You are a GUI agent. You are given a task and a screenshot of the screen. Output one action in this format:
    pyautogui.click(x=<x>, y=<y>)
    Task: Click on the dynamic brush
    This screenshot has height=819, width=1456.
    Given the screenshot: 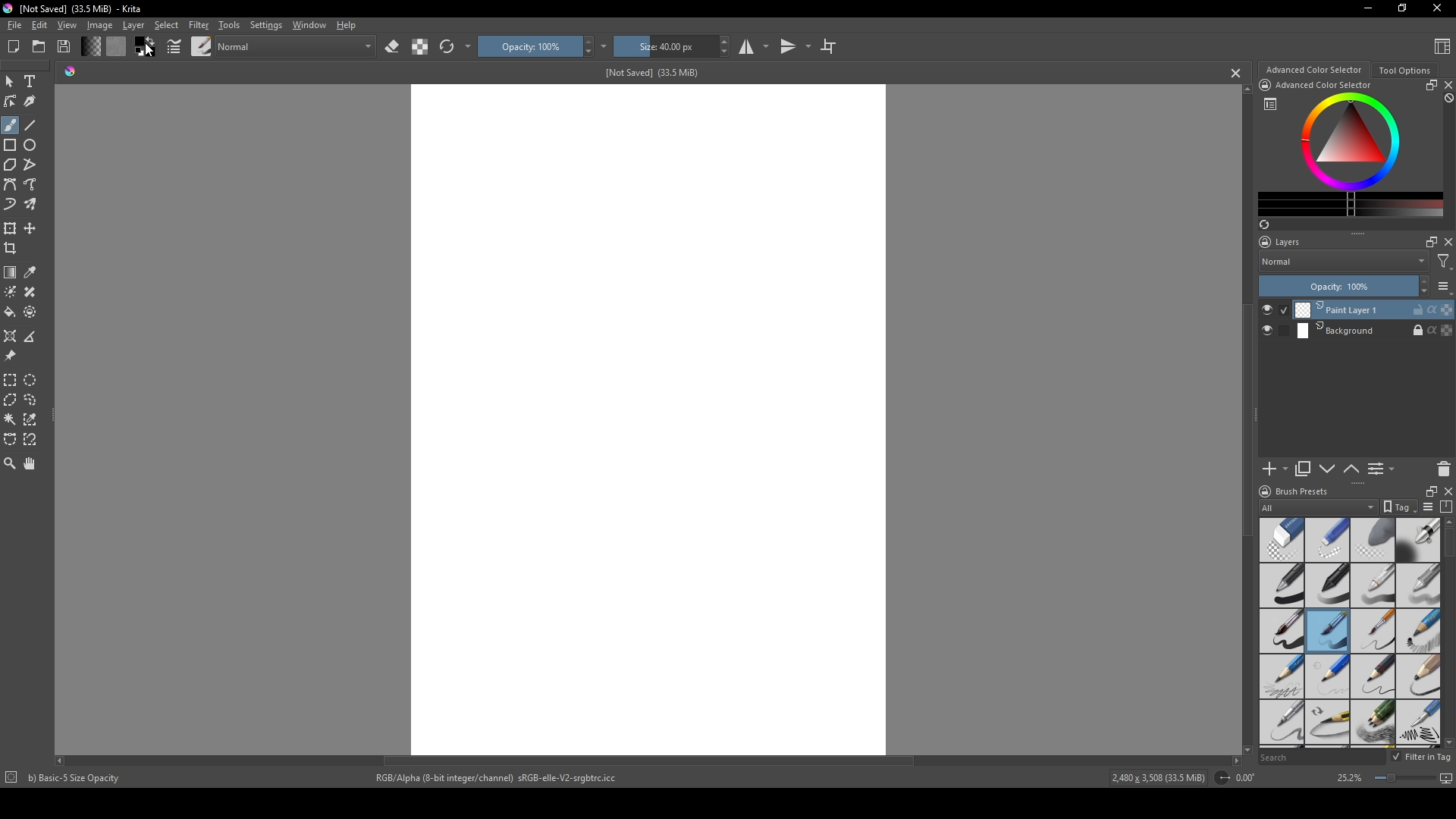 What is the action you would take?
    pyautogui.click(x=11, y=206)
    